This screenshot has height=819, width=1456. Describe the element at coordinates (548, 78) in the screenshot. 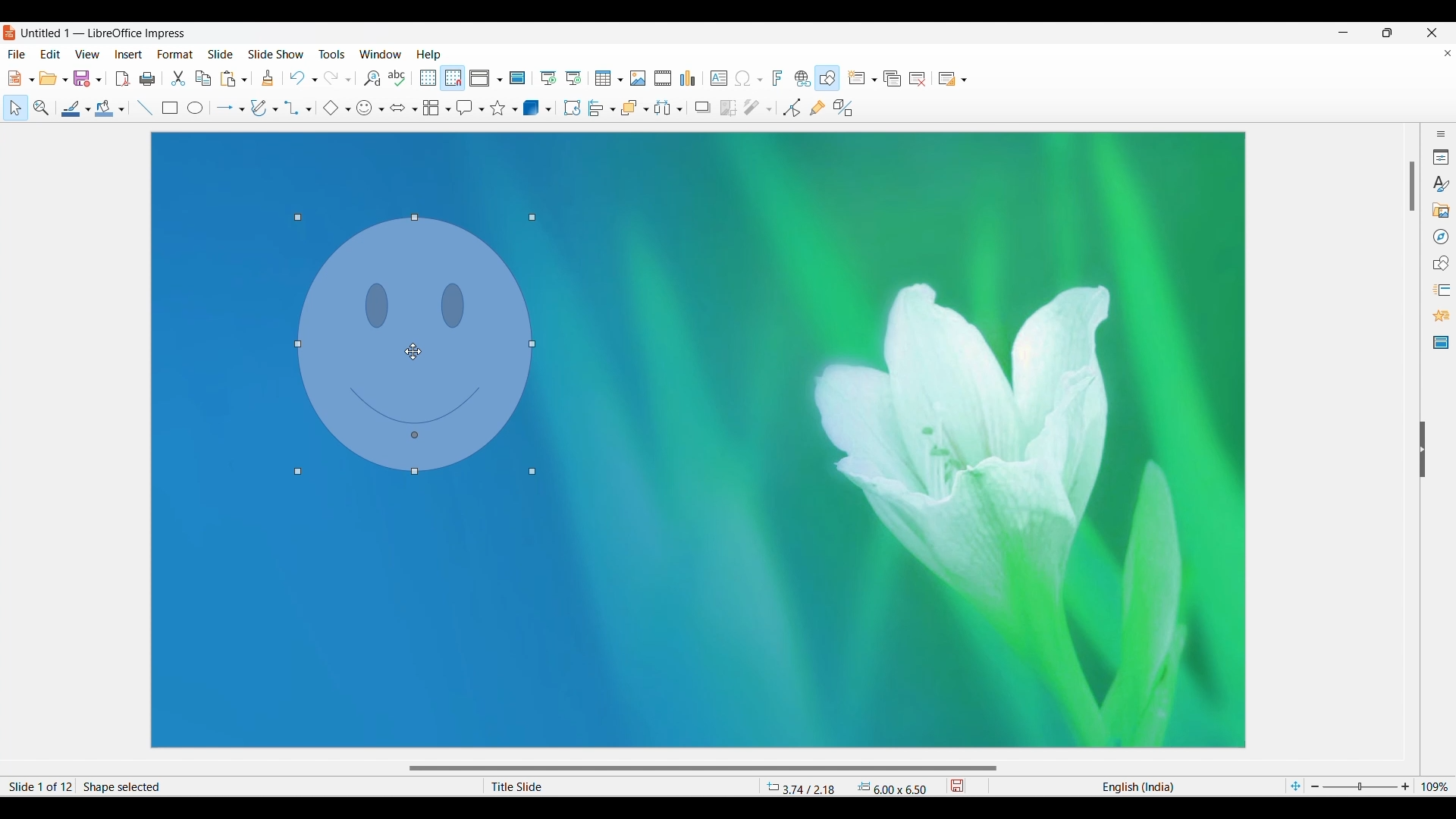

I see `Start from first slide` at that location.